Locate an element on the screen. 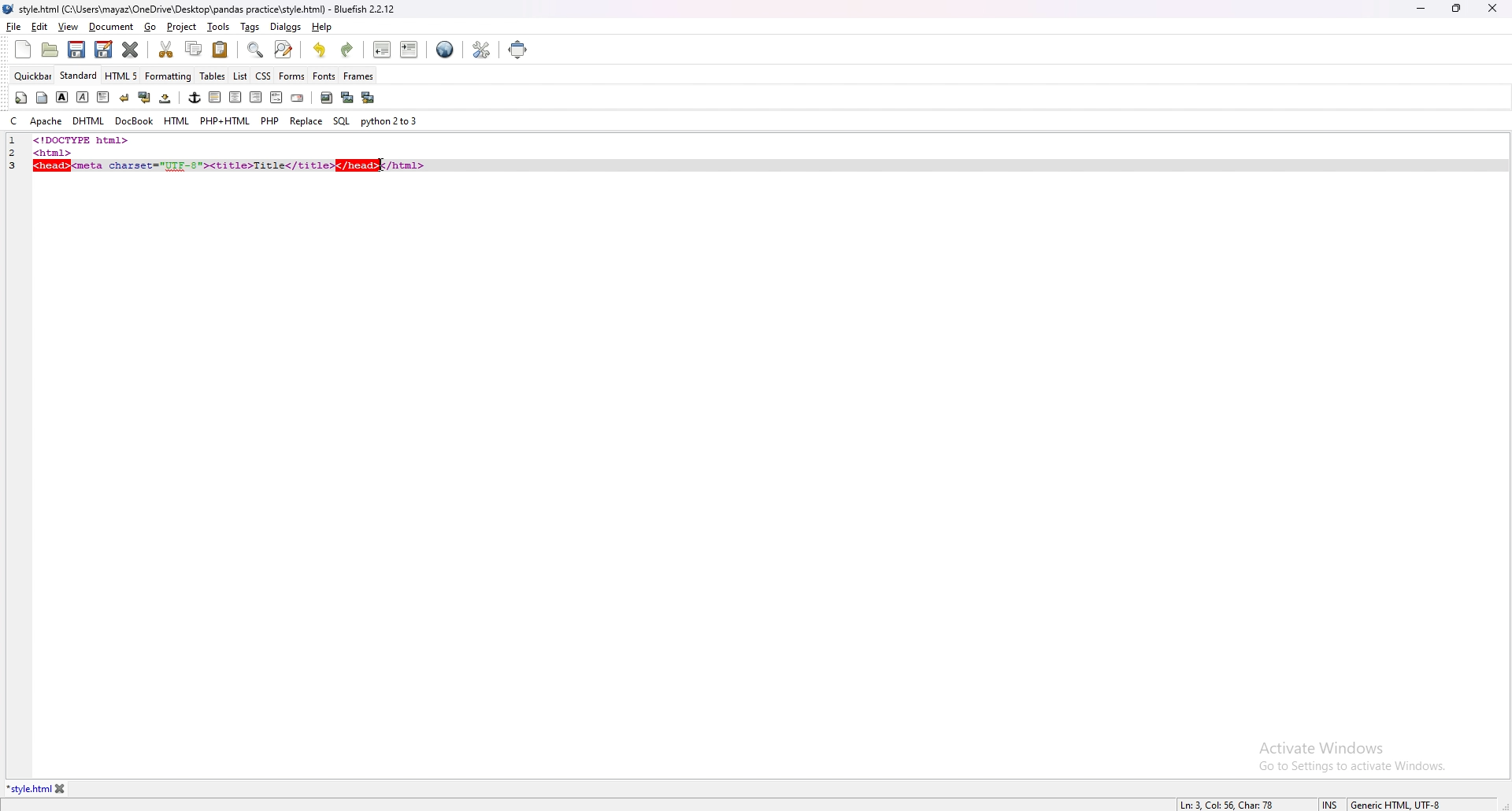  tab is located at coordinates (28, 789).